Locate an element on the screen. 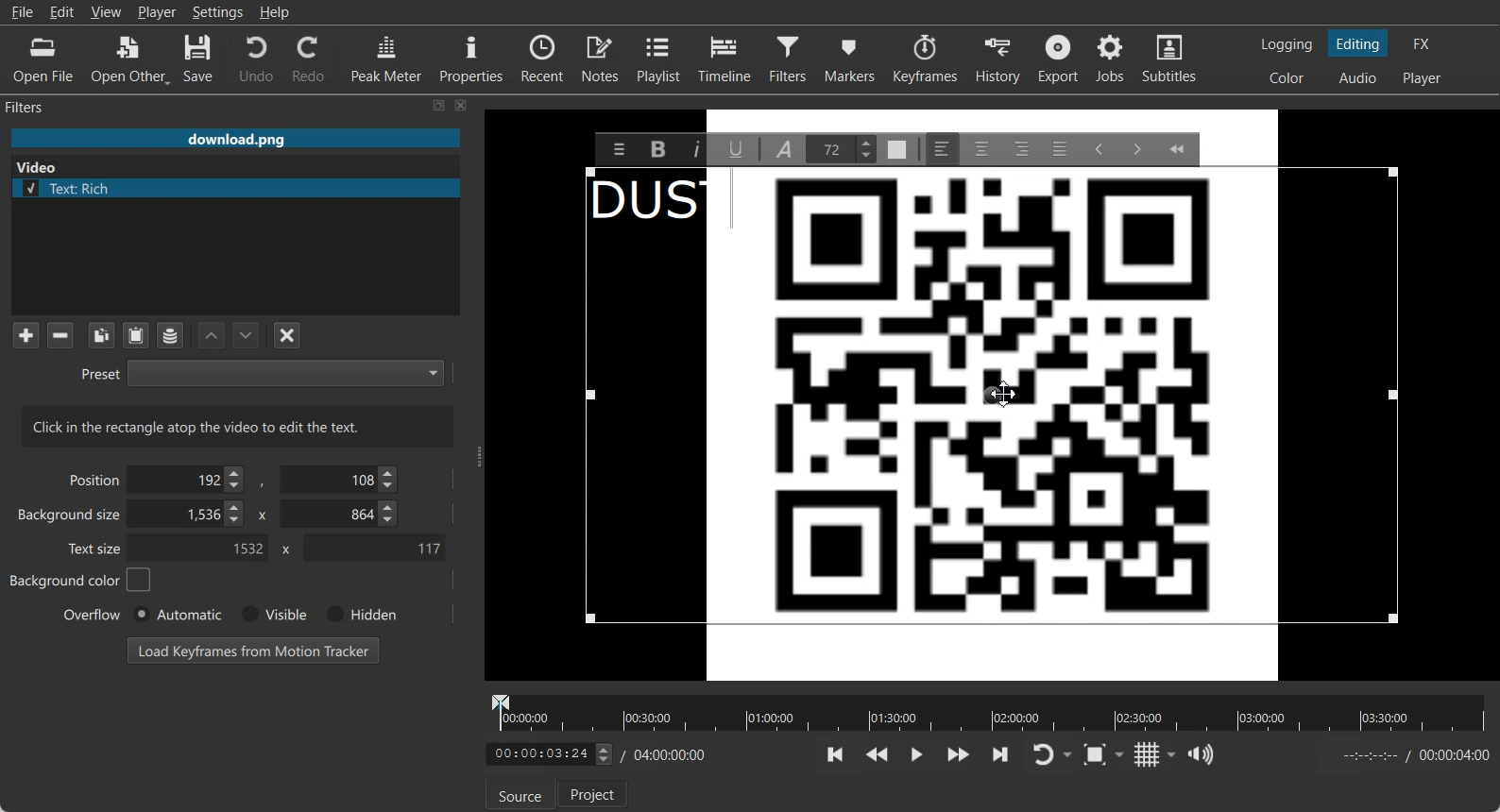  Project is located at coordinates (594, 793).